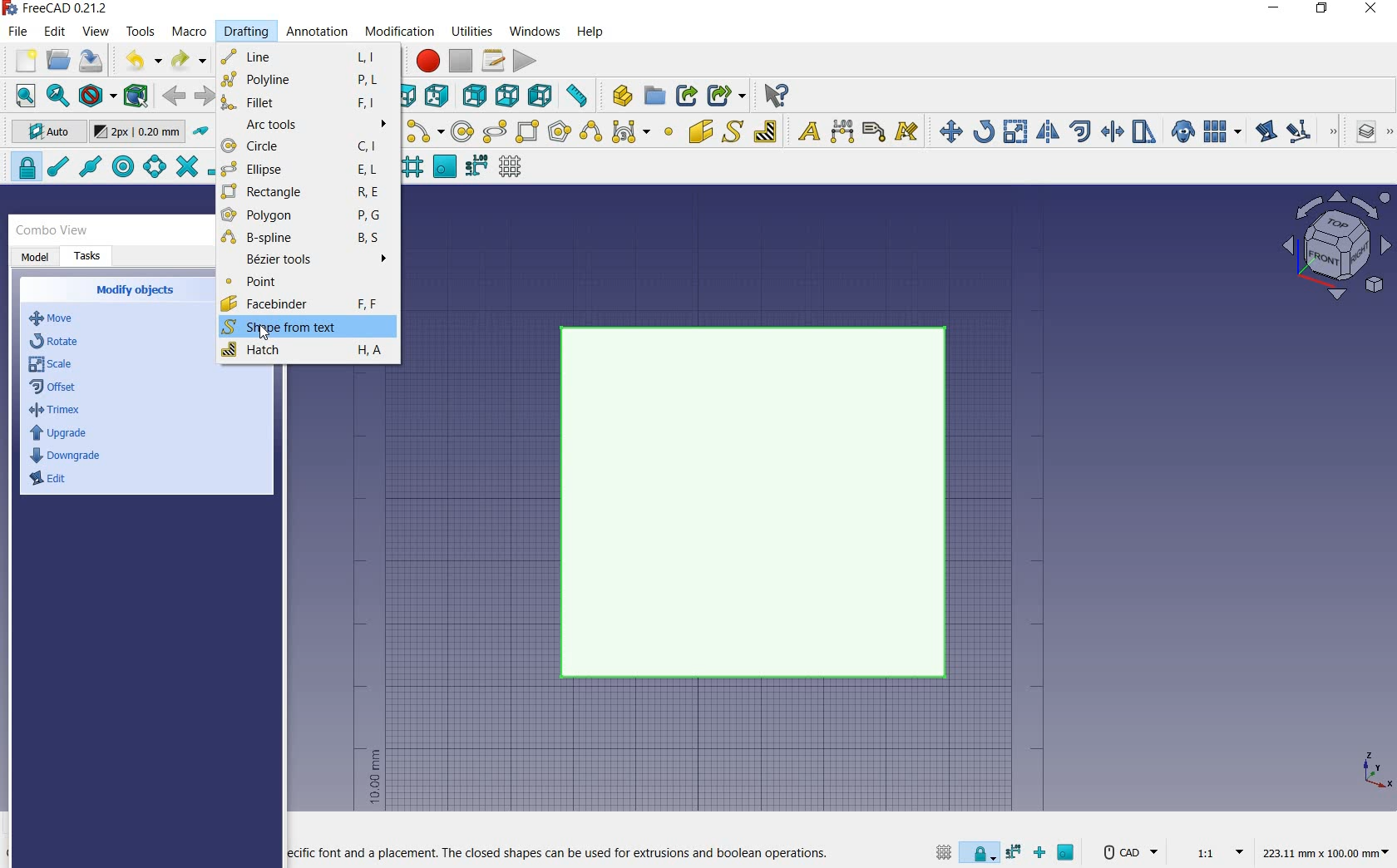 This screenshot has width=1397, height=868. What do you see at coordinates (308, 125) in the screenshot?
I see `arc tools` at bounding box center [308, 125].